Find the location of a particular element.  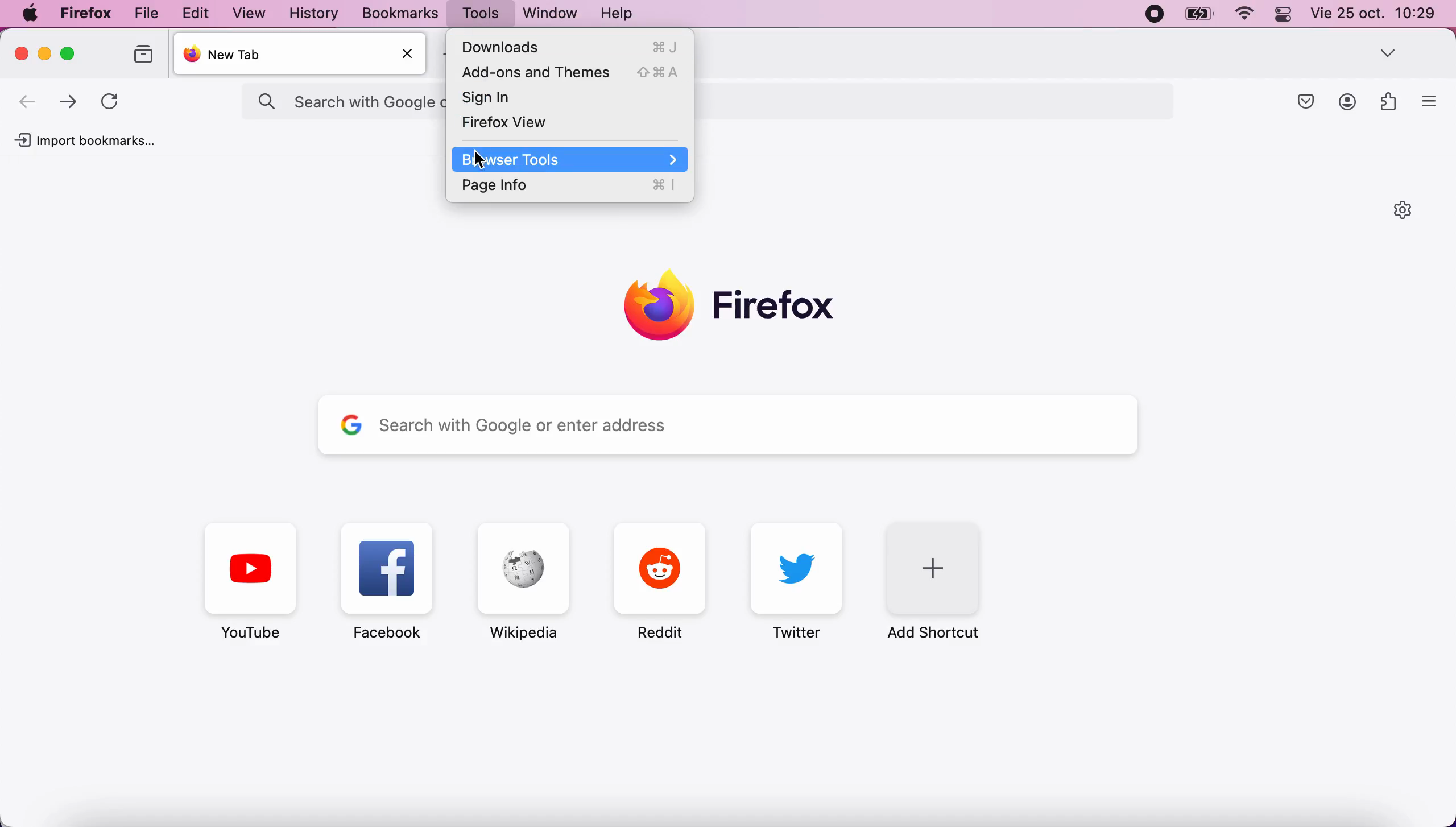

Date and time is located at coordinates (1374, 13).